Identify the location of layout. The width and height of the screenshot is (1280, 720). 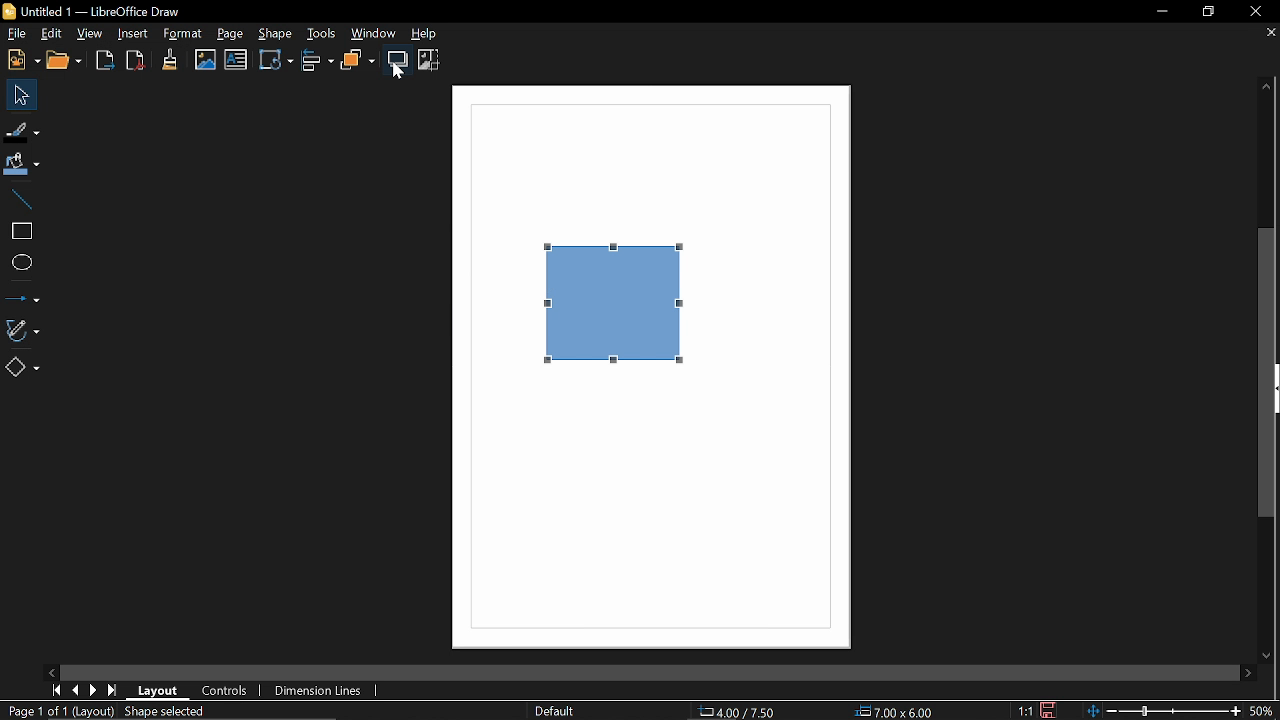
(99, 712).